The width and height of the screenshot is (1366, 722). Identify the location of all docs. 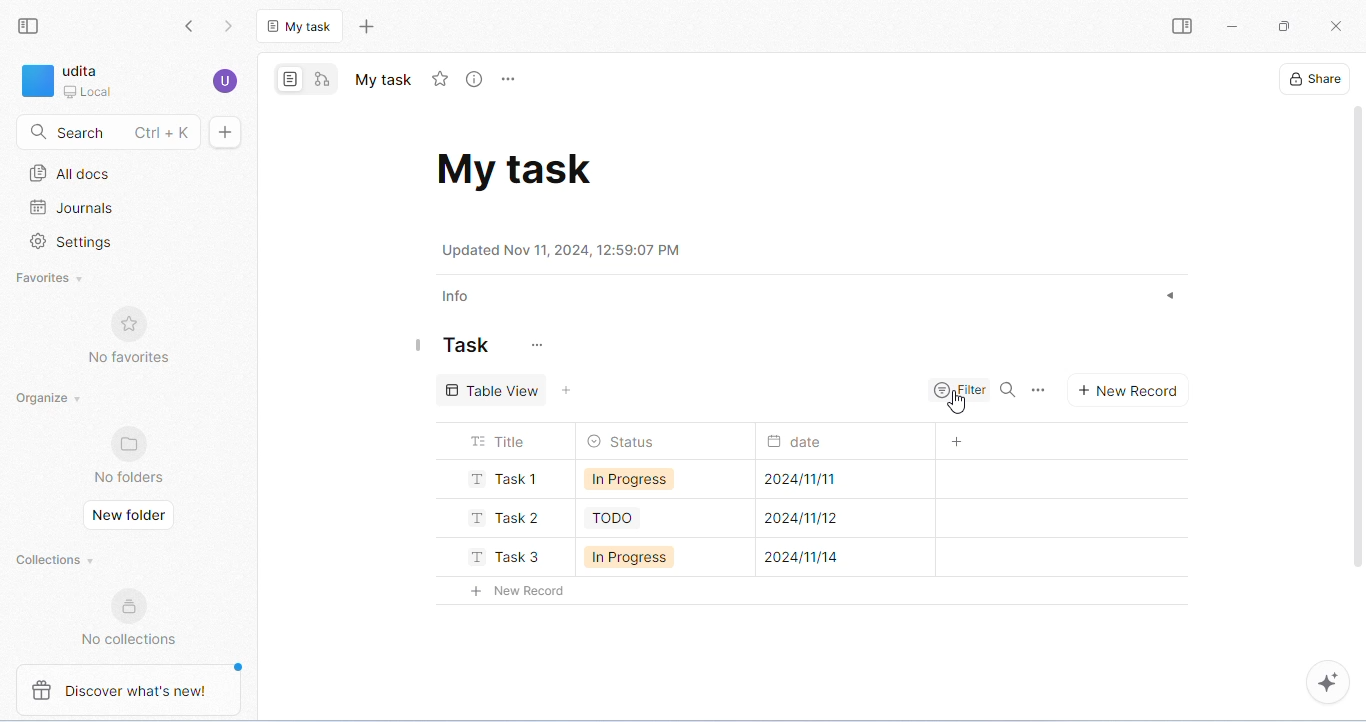
(72, 173).